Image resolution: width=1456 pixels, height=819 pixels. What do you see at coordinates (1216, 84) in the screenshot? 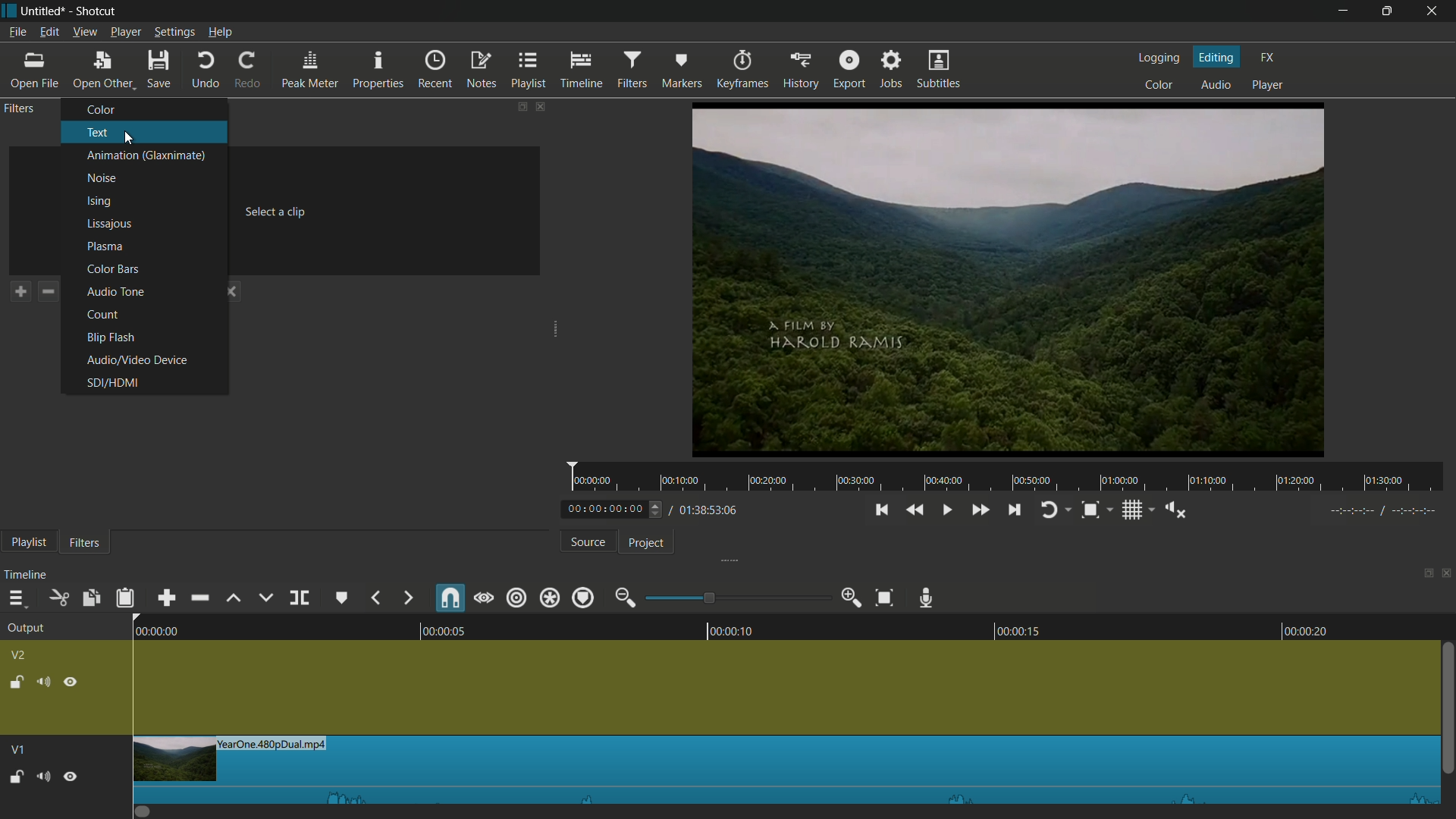
I see `audio` at bounding box center [1216, 84].